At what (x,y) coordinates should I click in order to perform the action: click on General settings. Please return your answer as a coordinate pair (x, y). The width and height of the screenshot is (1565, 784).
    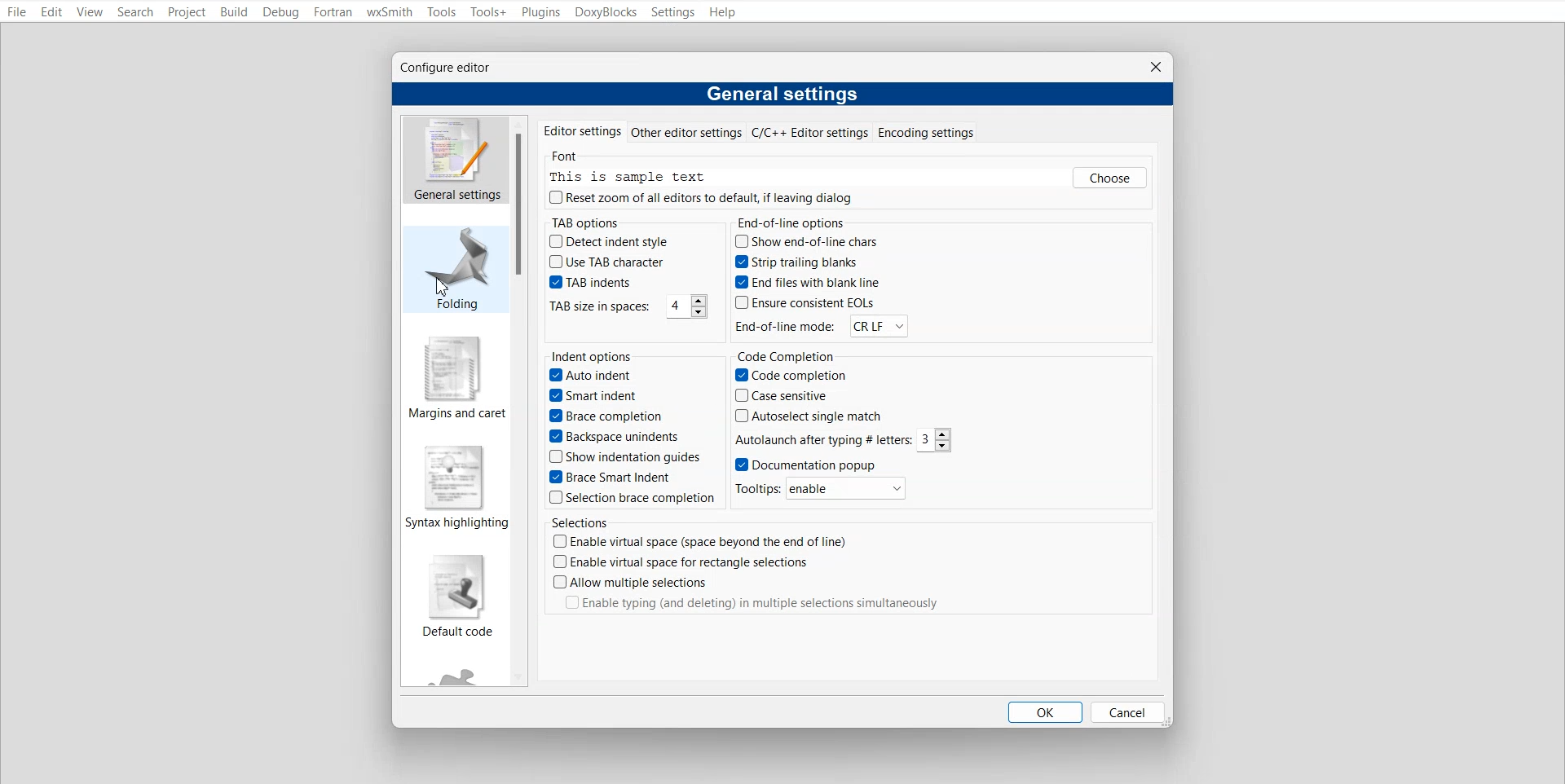
    Looking at the image, I should click on (786, 94).